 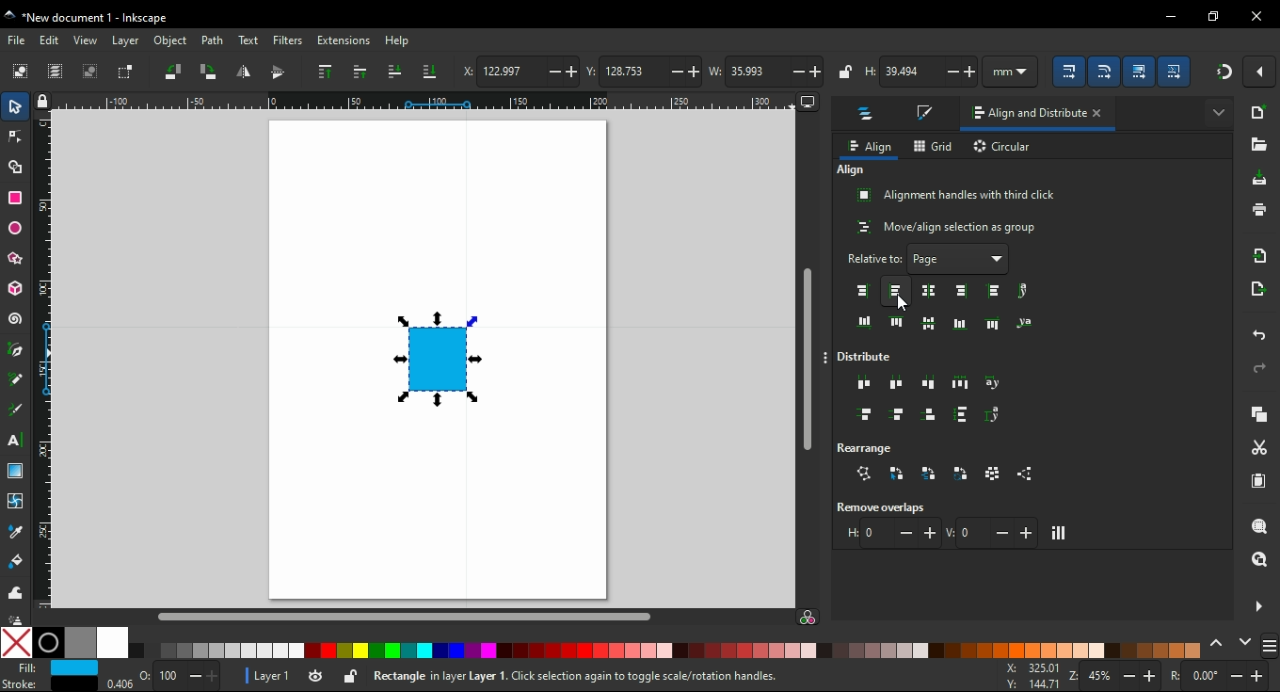 What do you see at coordinates (17, 471) in the screenshot?
I see `gradient tool` at bounding box center [17, 471].